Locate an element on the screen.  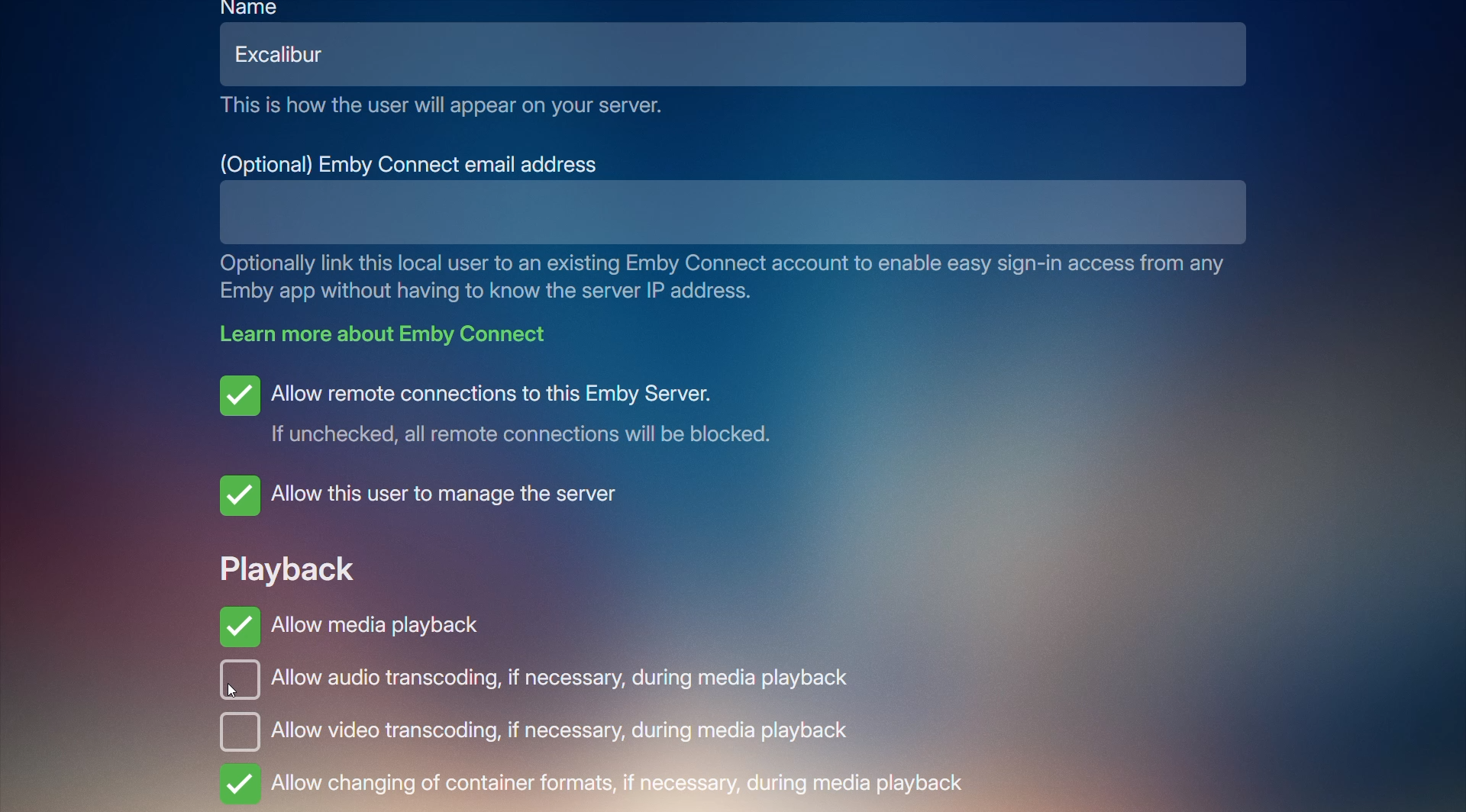
Name is located at coordinates (252, 8).